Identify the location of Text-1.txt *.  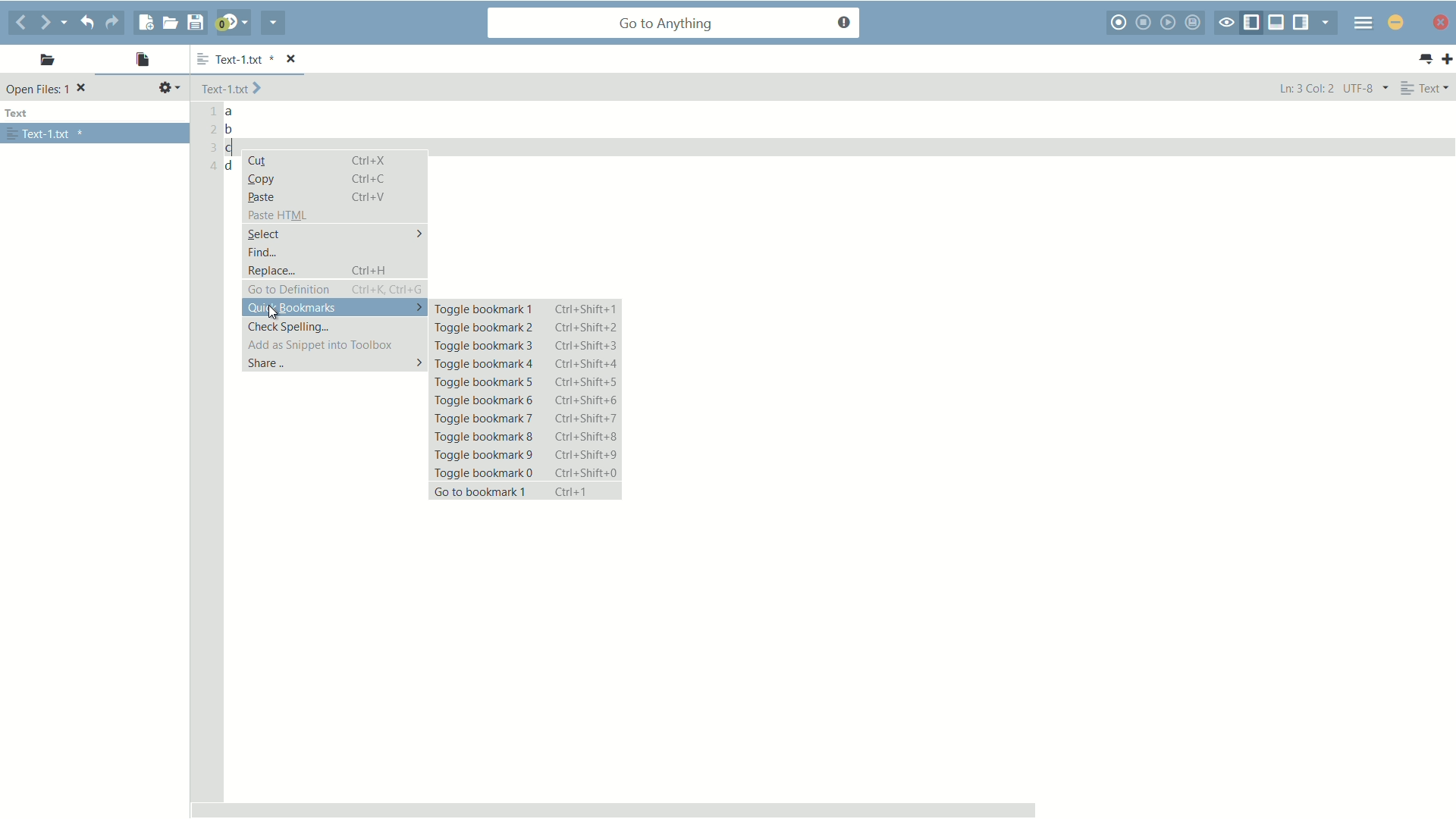
(46, 134).